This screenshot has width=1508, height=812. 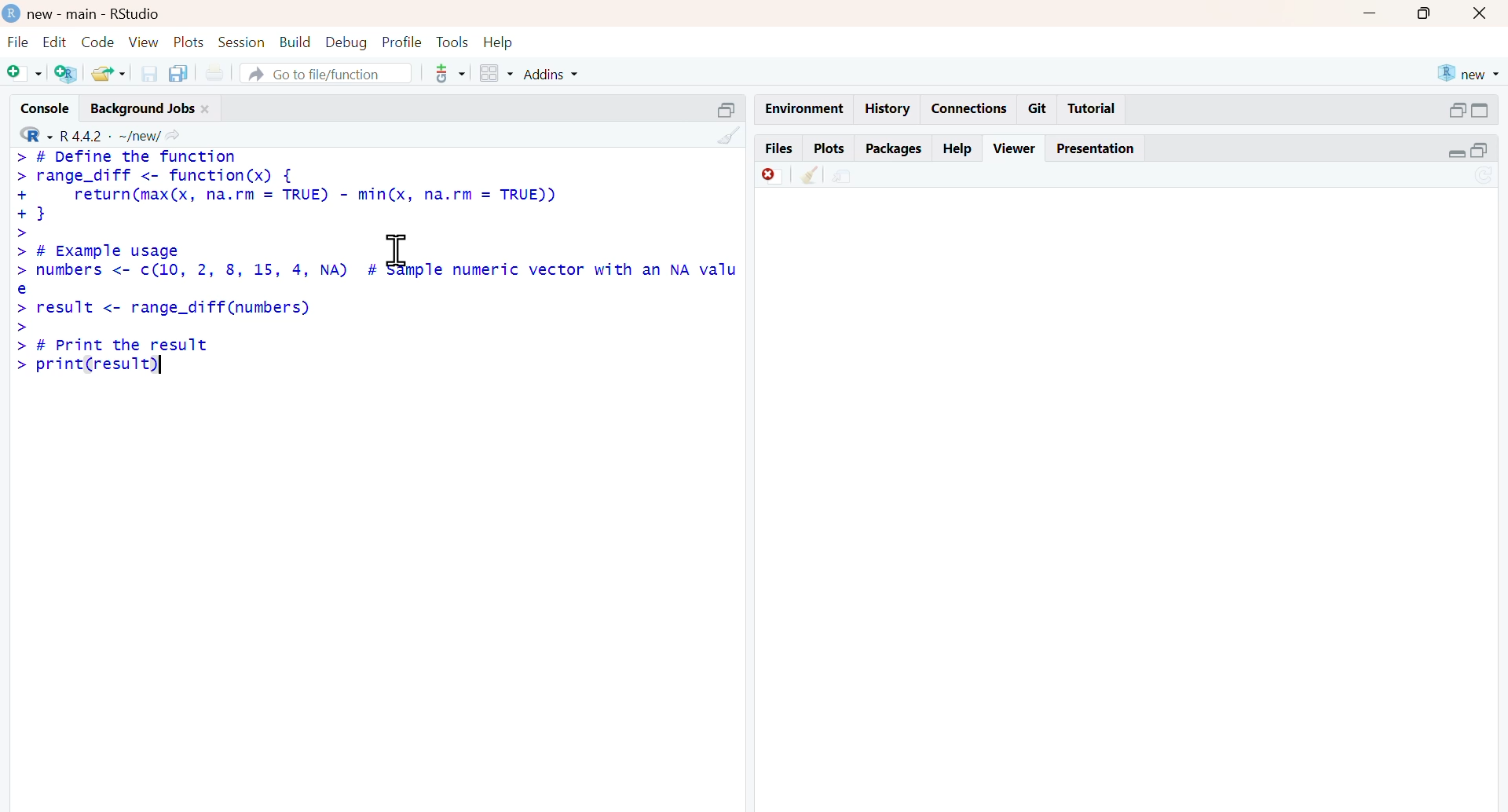 What do you see at coordinates (1479, 110) in the screenshot?
I see `open in separate windowCollapse /expand` at bounding box center [1479, 110].